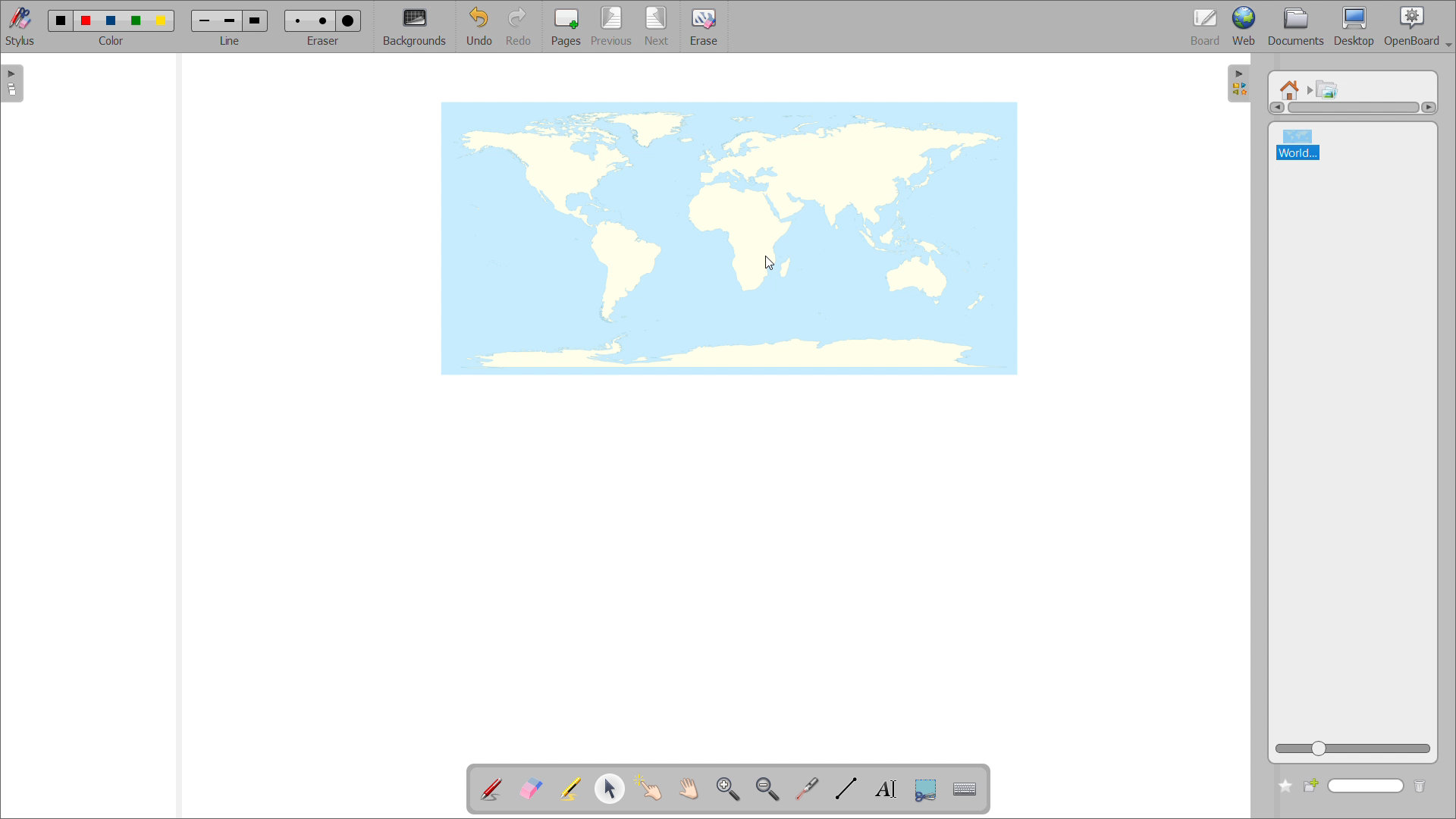 This screenshot has width=1456, height=819. What do you see at coordinates (650, 787) in the screenshot?
I see `interact with items` at bounding box center [650, 787].